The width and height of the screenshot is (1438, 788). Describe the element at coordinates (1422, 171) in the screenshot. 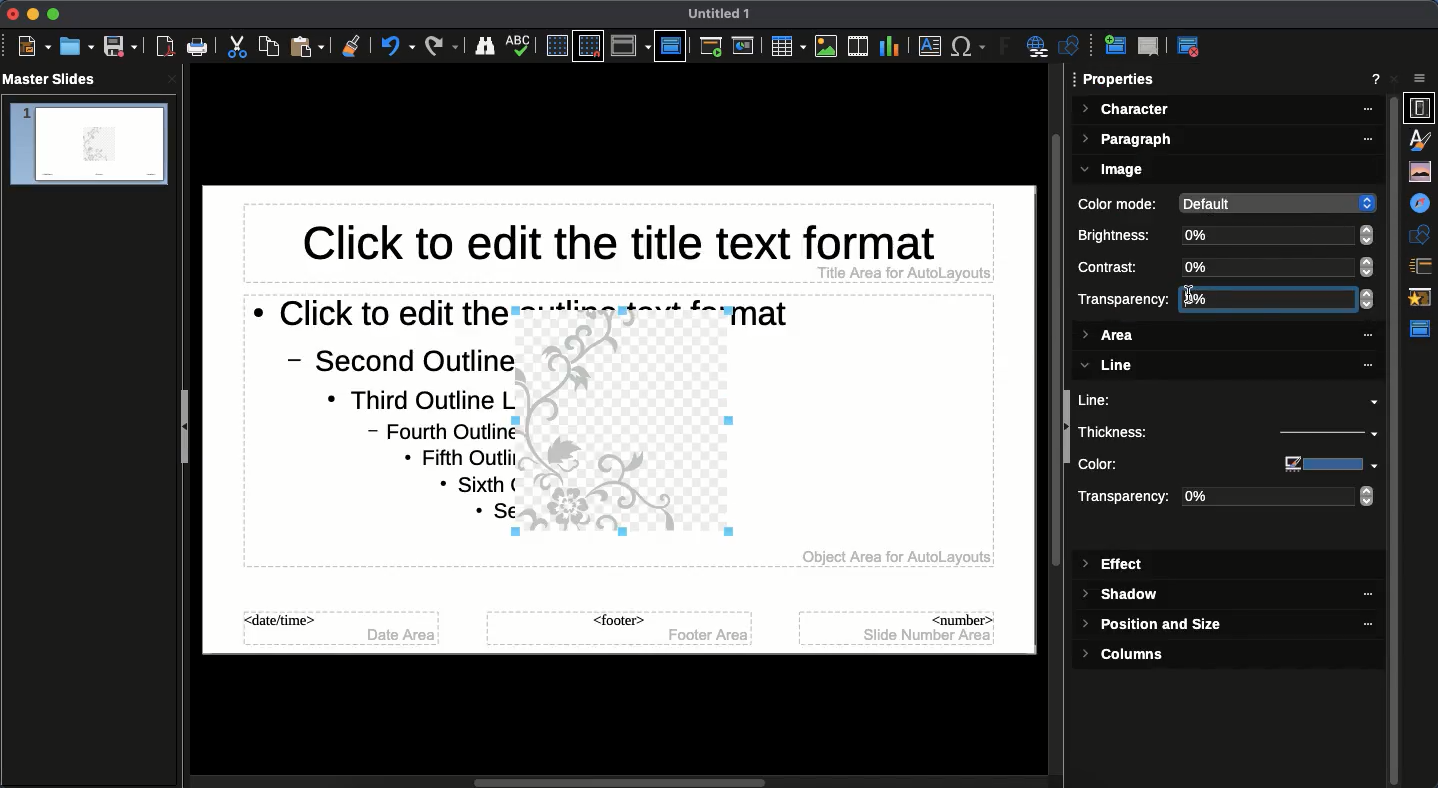

I see `Gallery` at that location.